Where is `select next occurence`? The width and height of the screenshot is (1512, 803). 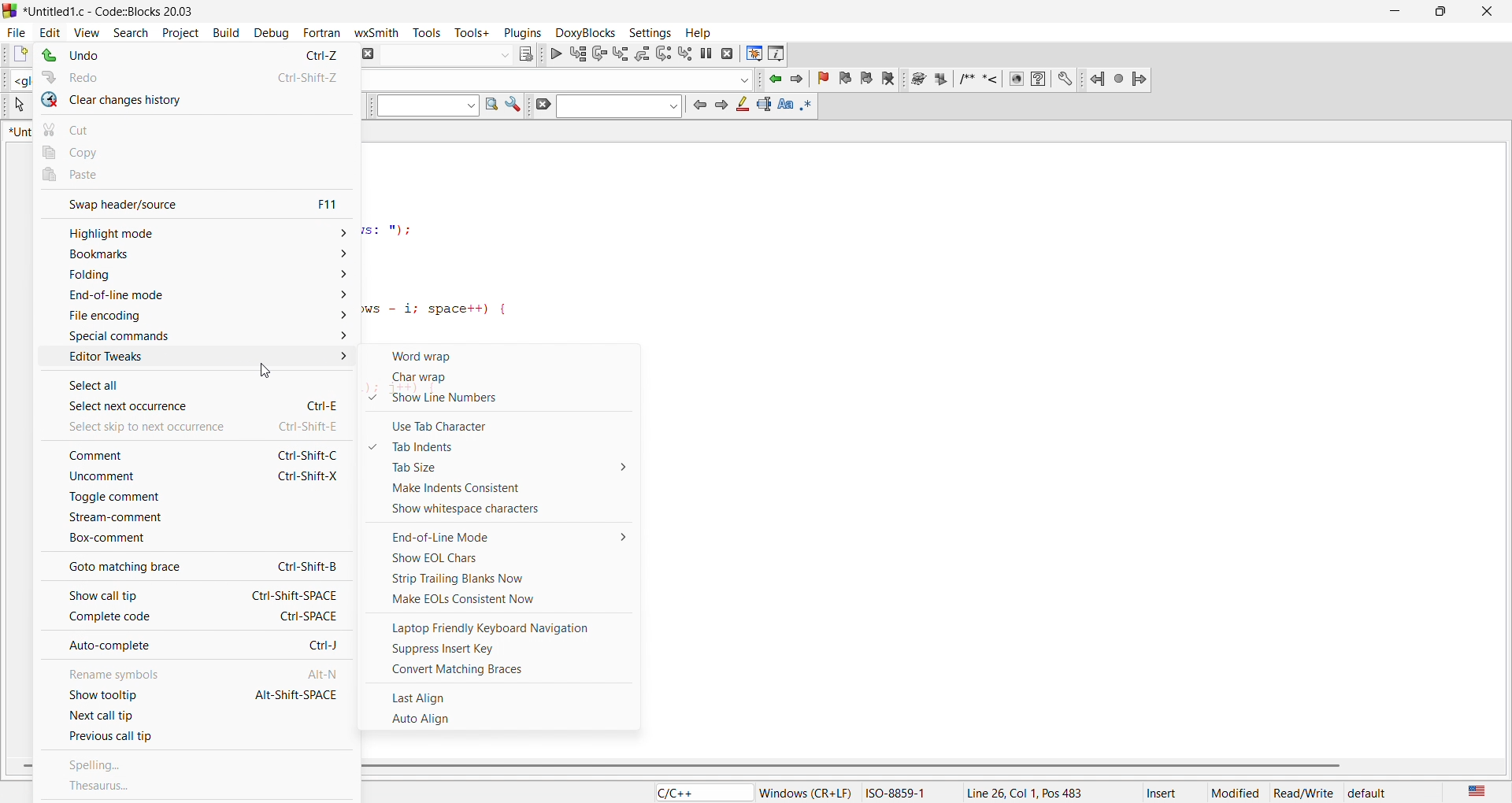
select next occurence is located at coordinates (132, 409).